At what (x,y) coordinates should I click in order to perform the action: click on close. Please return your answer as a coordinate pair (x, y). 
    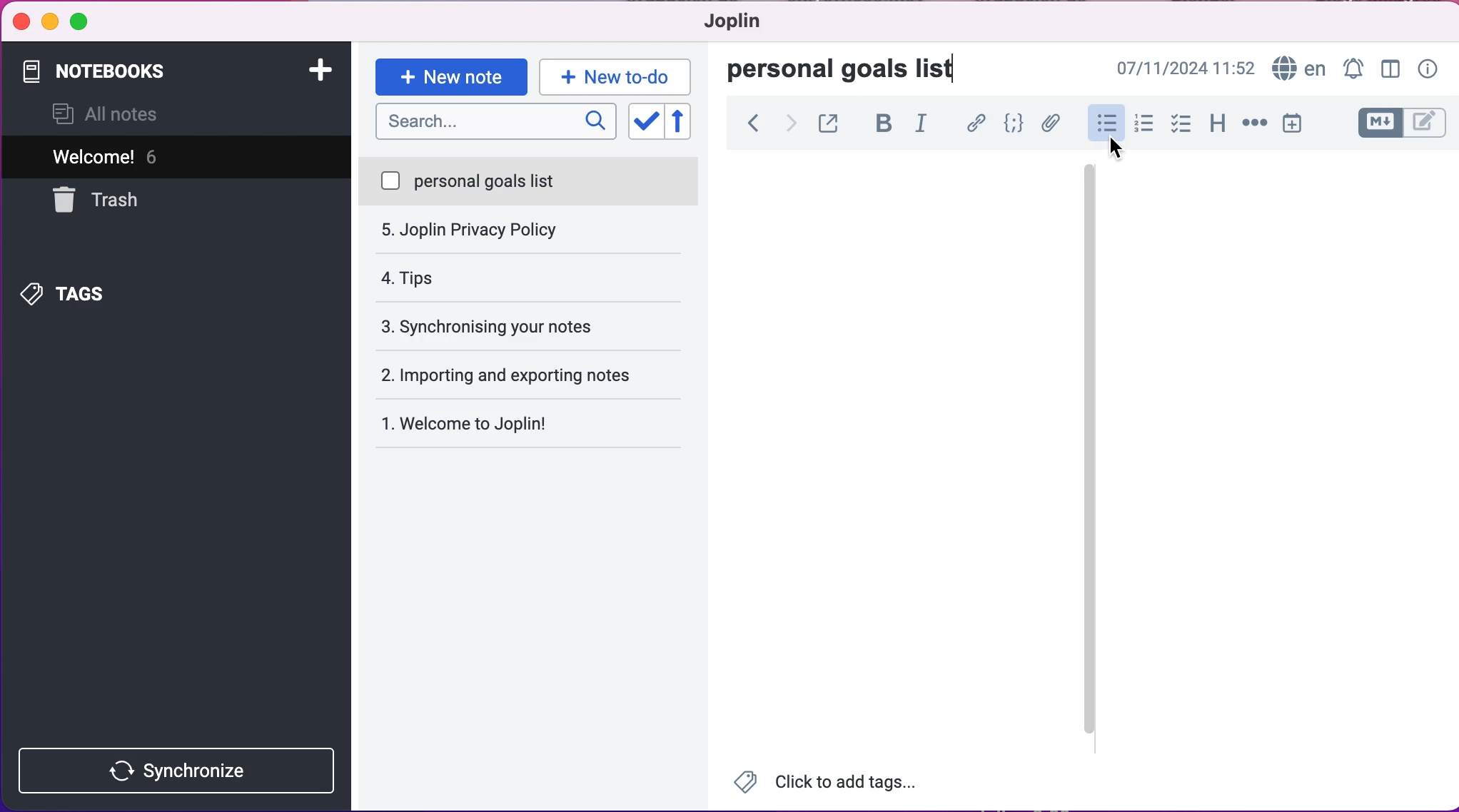
    Looking at the image, I should click on (21, 21).